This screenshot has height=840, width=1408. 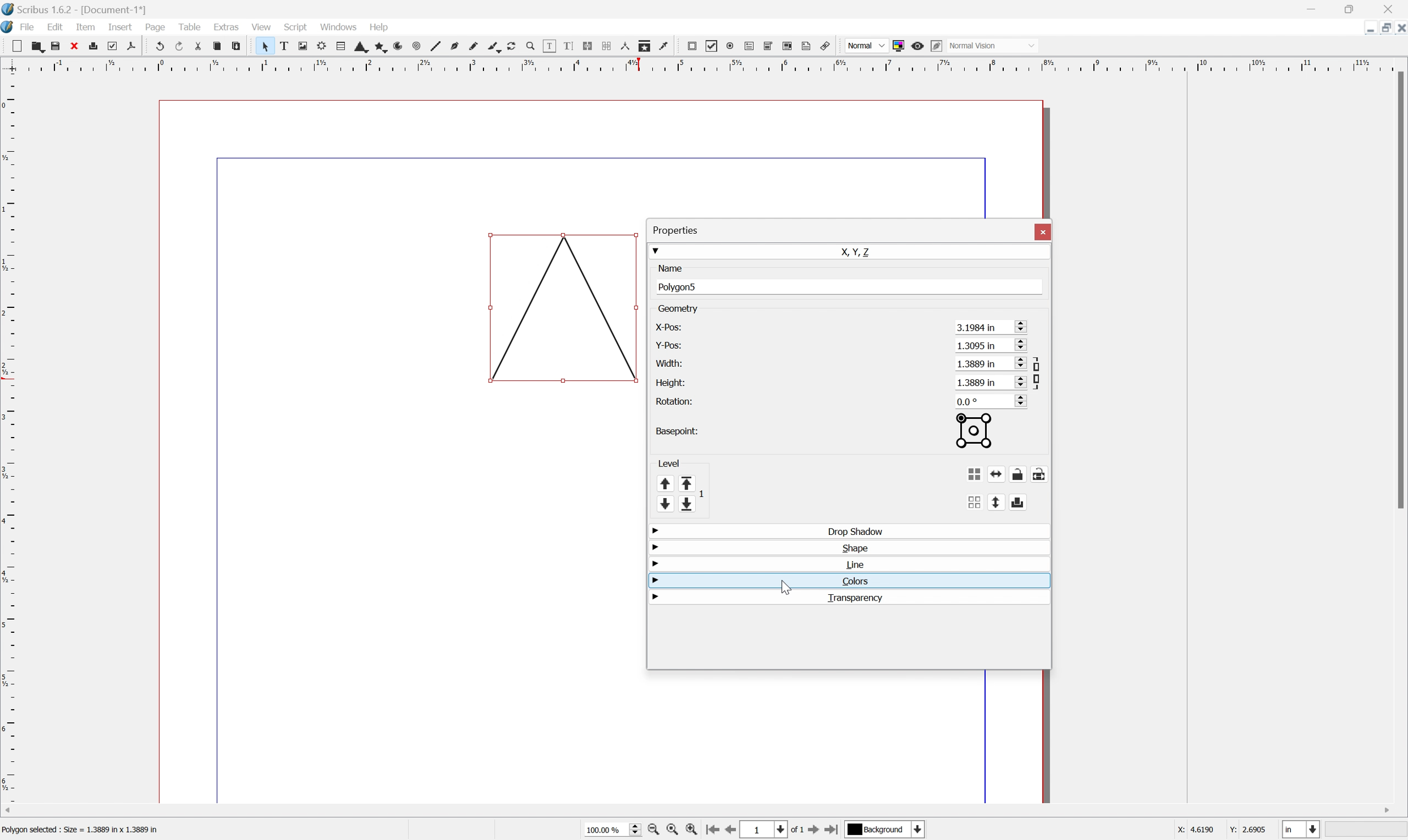 I want to click on PDF radio button, so click(x=729, y=46).